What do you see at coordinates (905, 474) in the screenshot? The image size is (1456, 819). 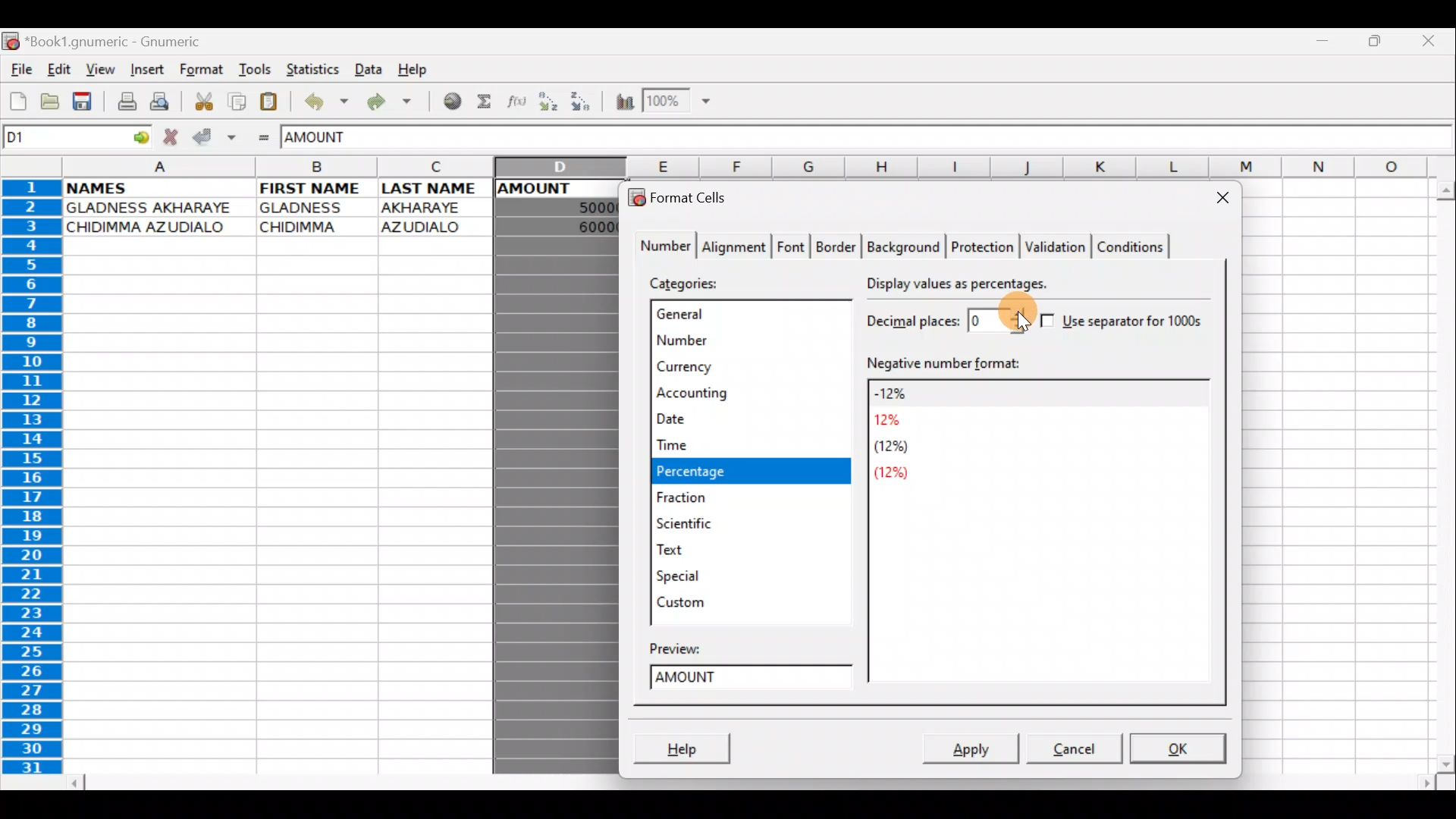 I see `(12%)` at bounding box center [905, 474].